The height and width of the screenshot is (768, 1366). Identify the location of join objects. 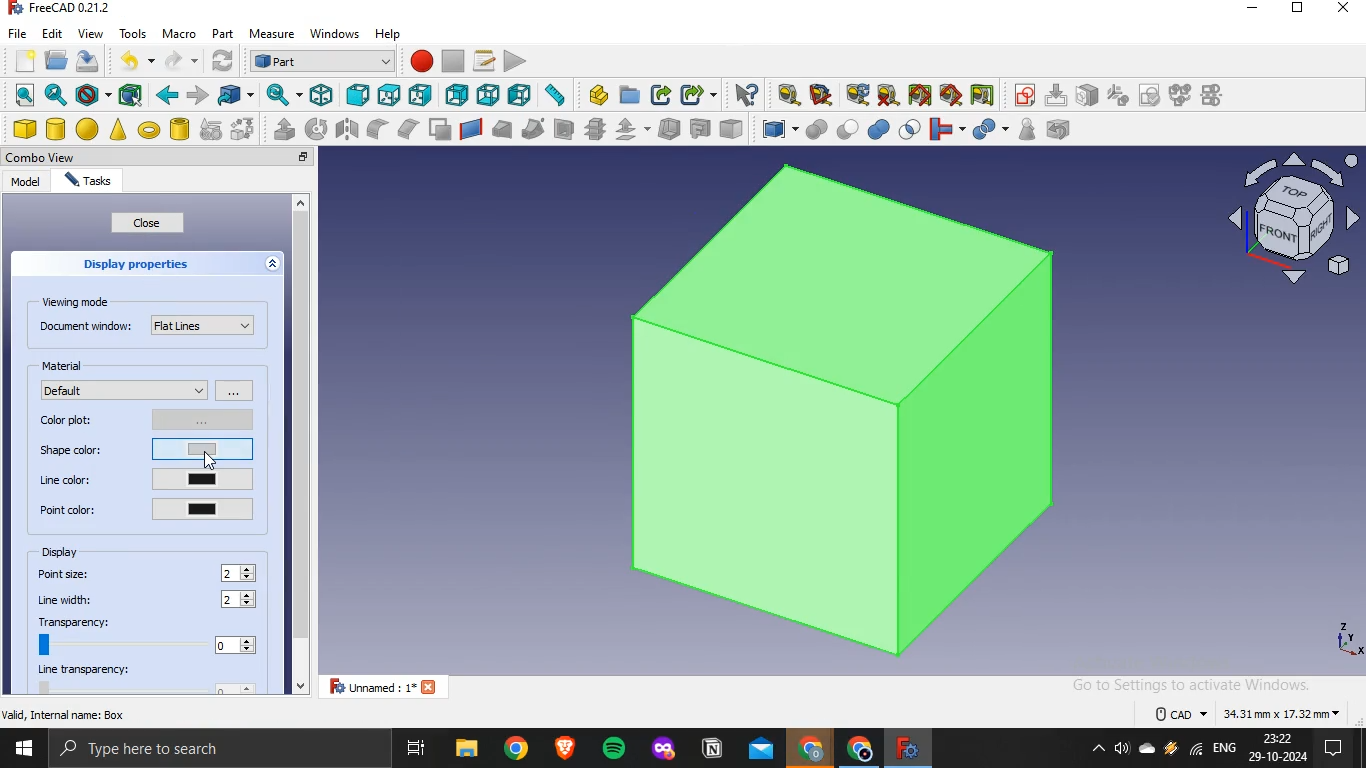
(945, 127).